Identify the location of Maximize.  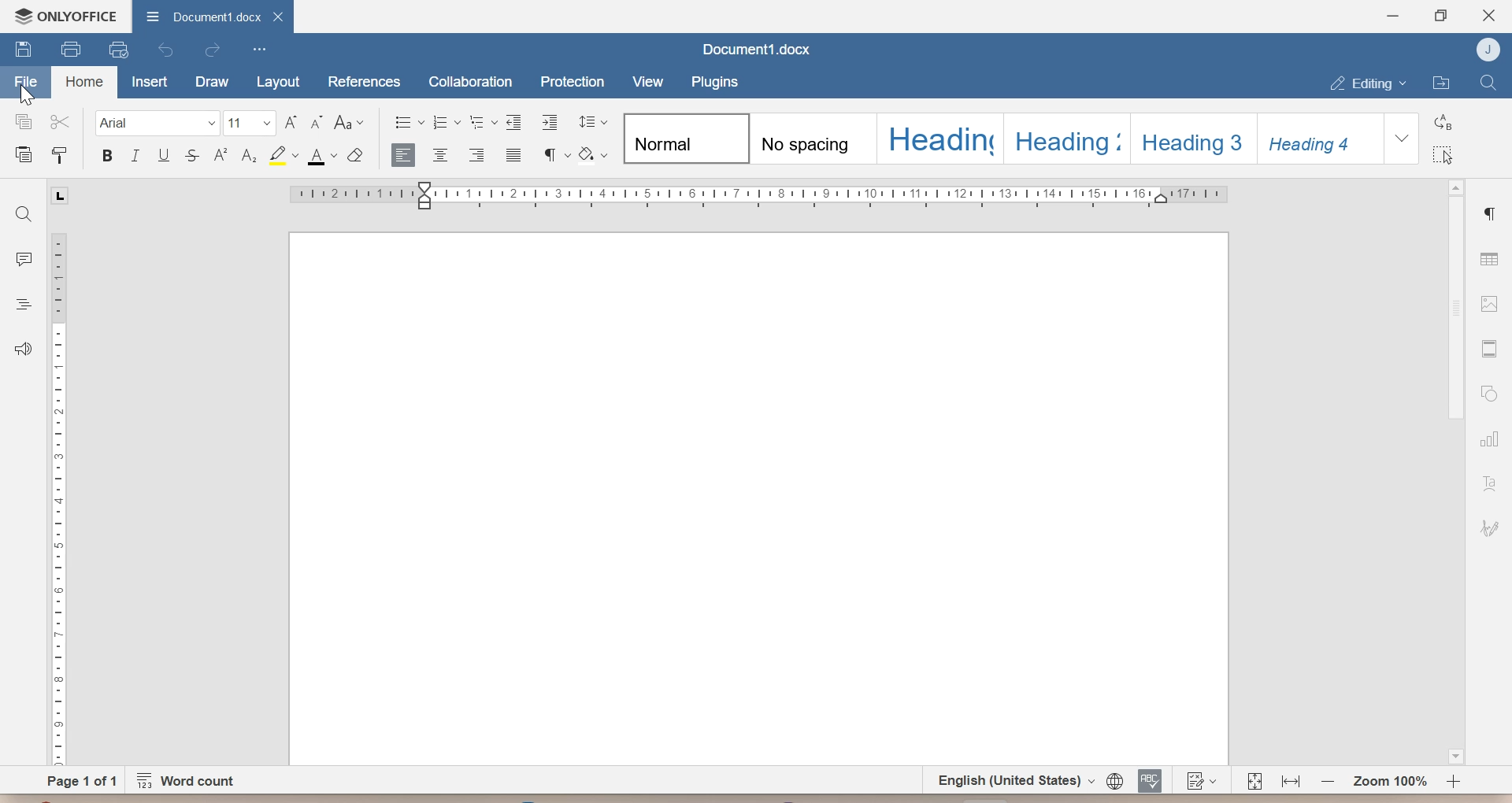
(1441, 16).